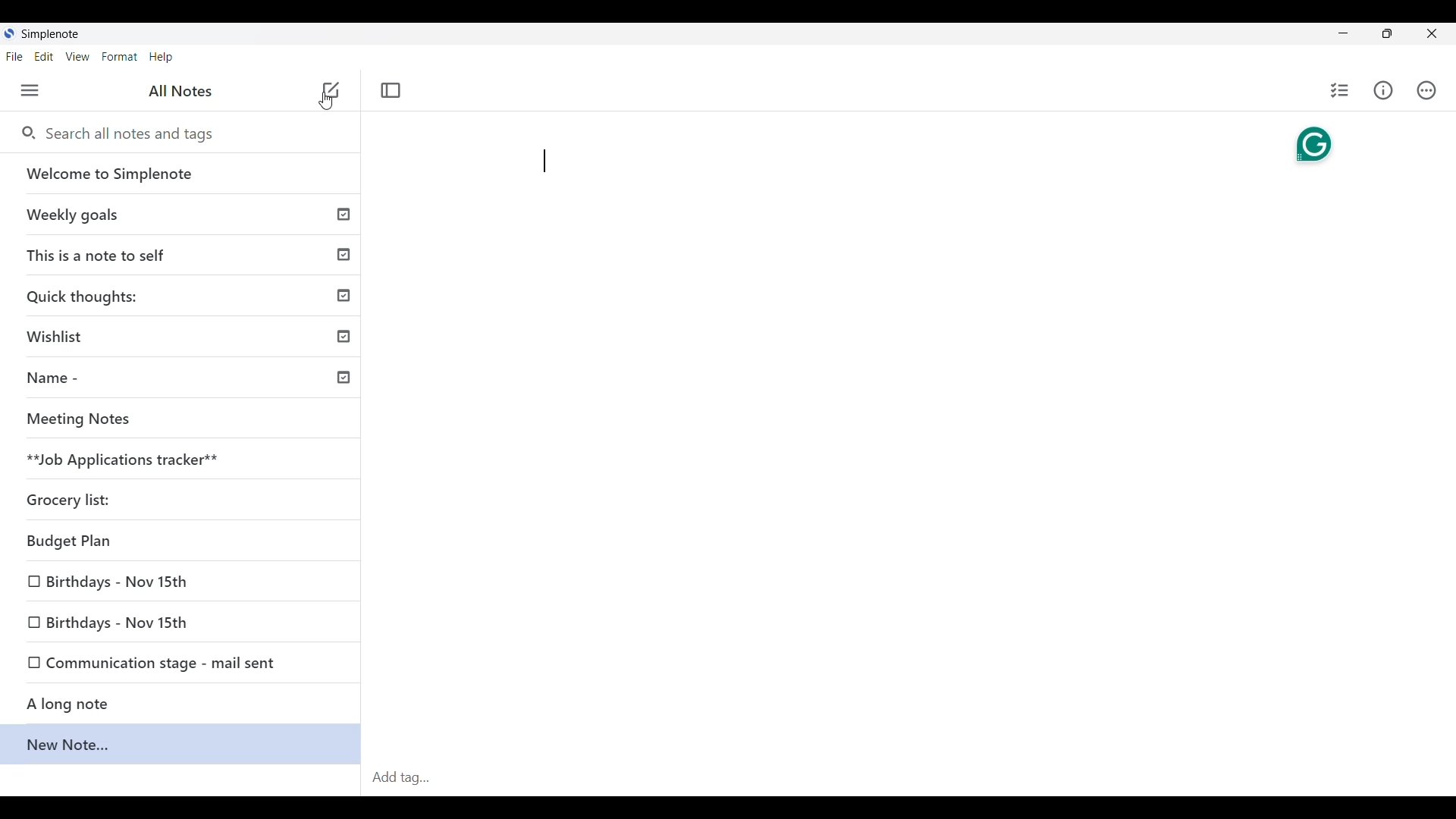  Describe the element at coordinates (1427, 90) in the screenshot. I see `Actions` at that location.